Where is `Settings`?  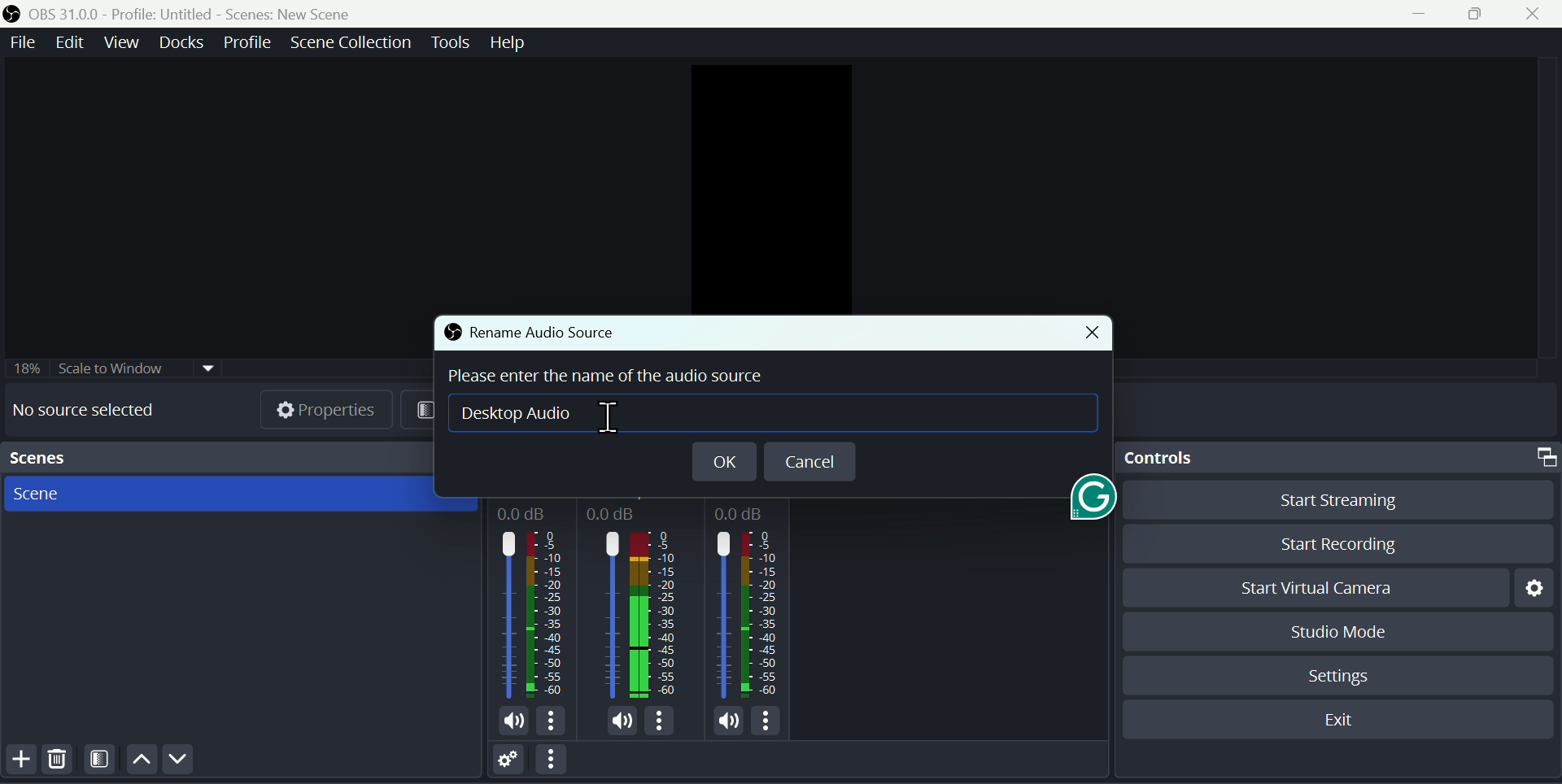
Settings is located at coordinates (1340, 675).